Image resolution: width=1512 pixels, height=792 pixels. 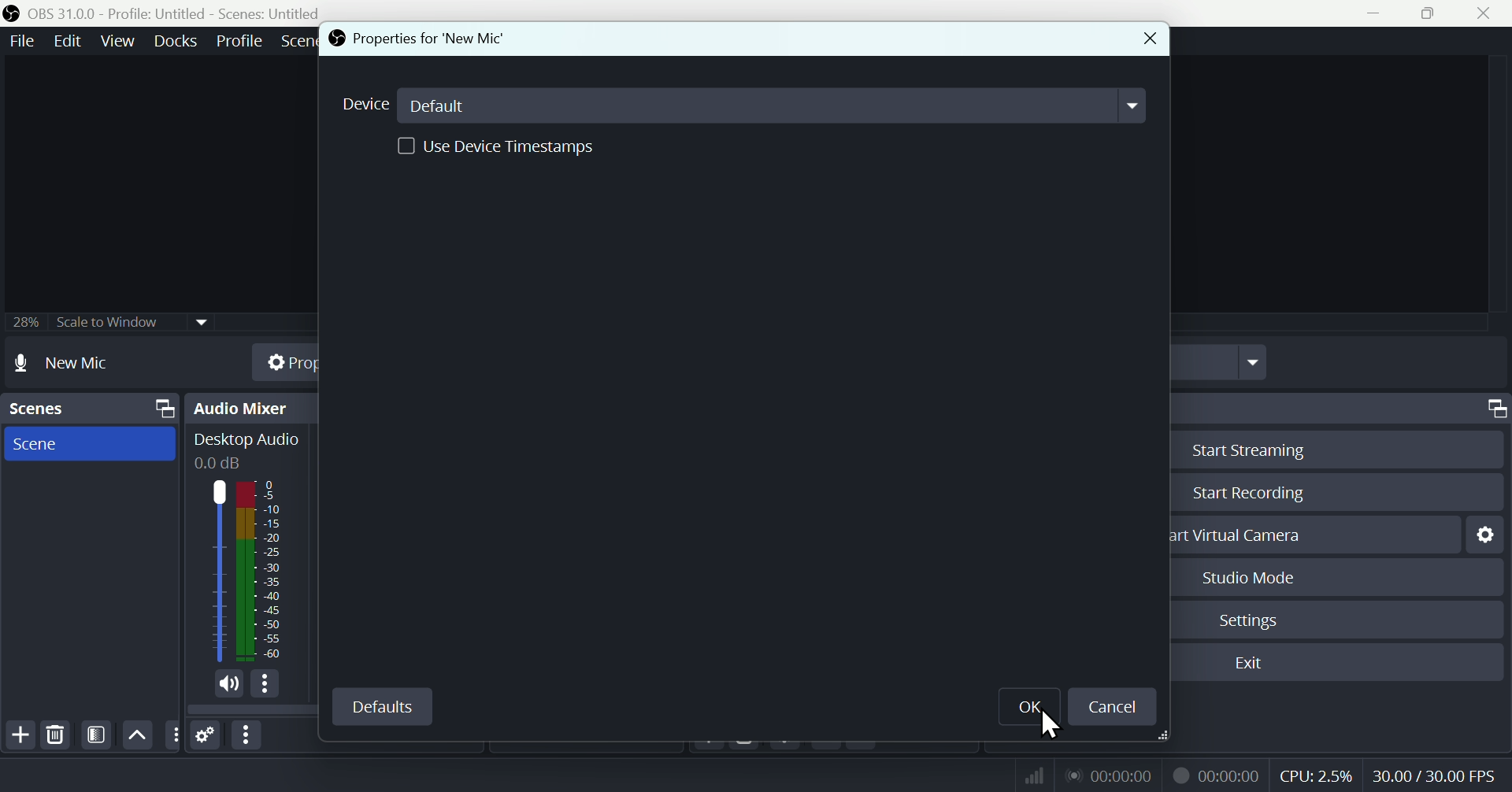 What do you see at coordinates (135, 735) in the screenshot?
I see `Up` at bounding box center [135, 735].